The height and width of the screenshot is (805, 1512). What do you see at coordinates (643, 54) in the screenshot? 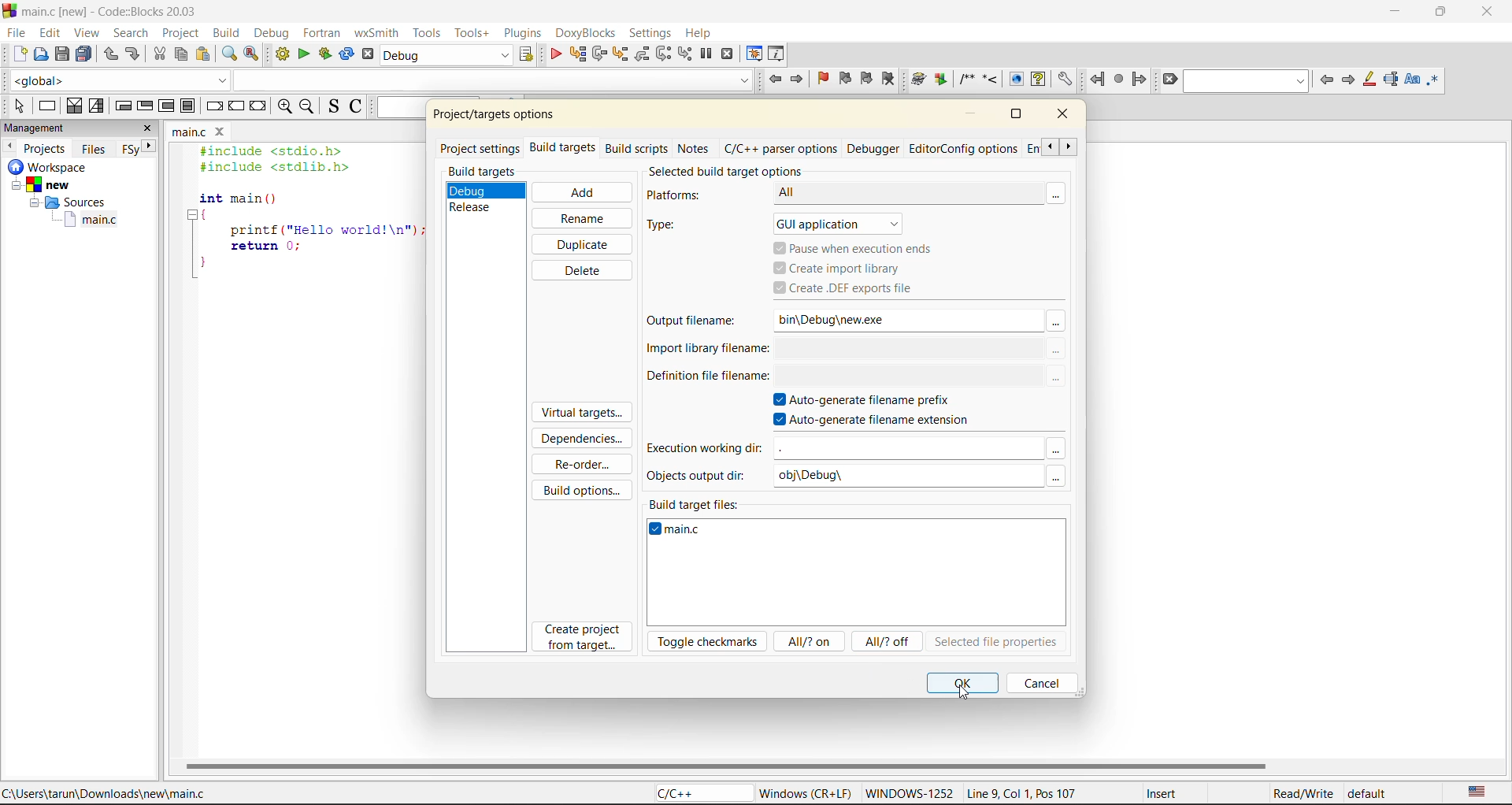
I see `step out` at bounding box center [643, 54].